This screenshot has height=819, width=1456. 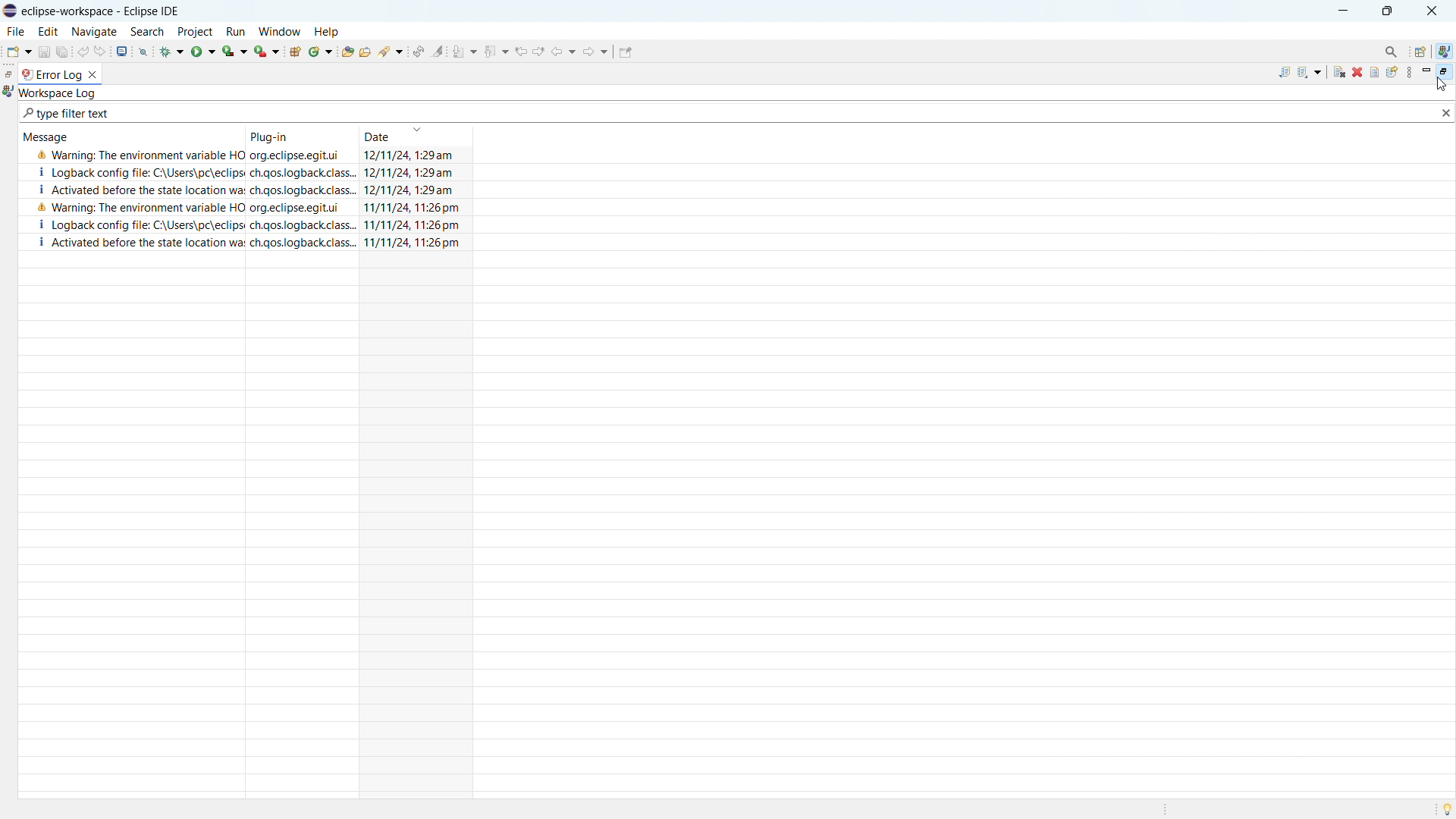 What do you see at coordinates (321, 52) in the screenshot?
I see `new java class` at bounding box center [321, 52].